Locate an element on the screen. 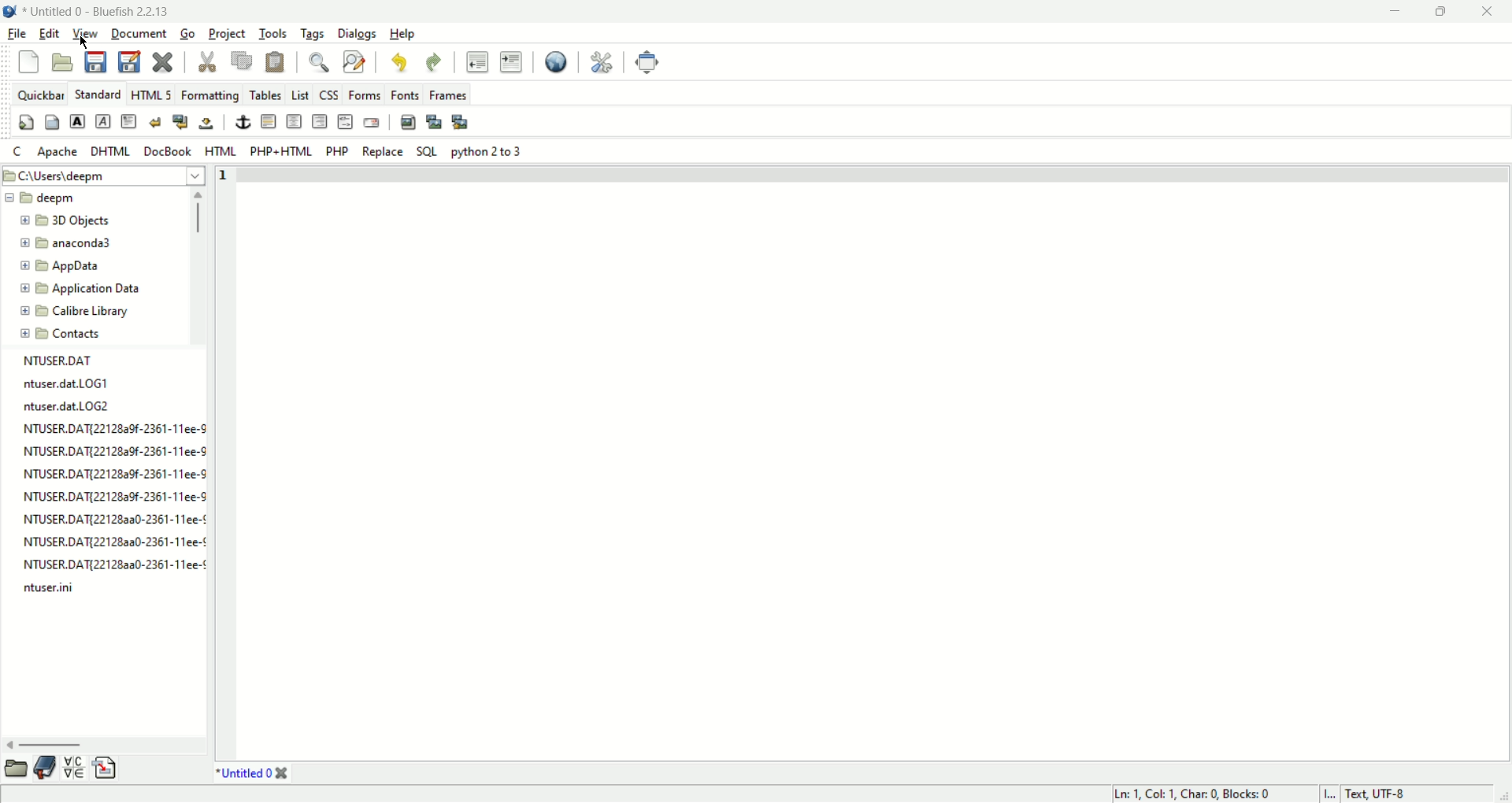 This screenshot has height=803, width=1512. python 2 to 3 is located at coordinates (489, 152).